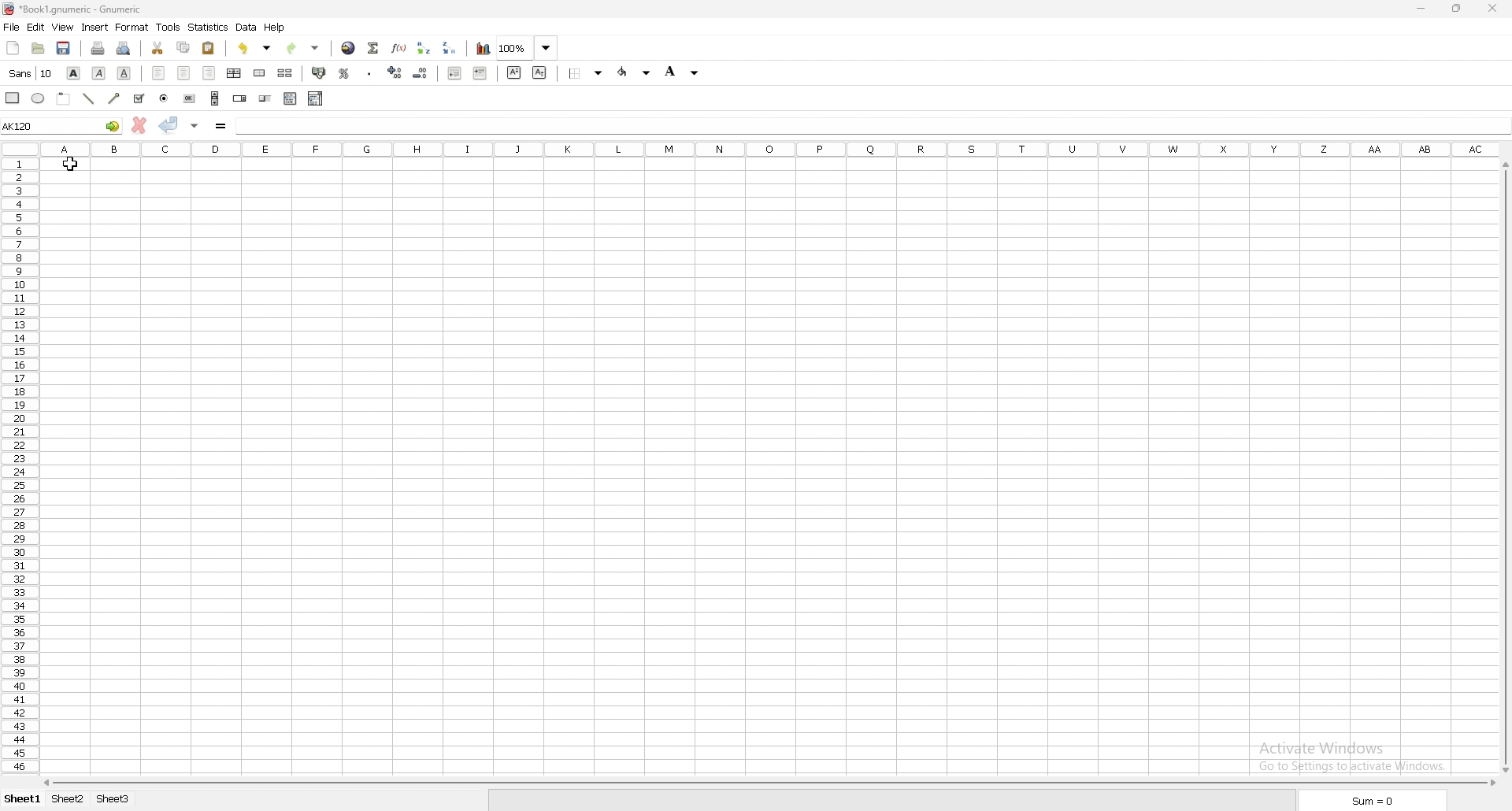 This screenshot has height=811, width=1512. I want to click on background, so click(682, 71).